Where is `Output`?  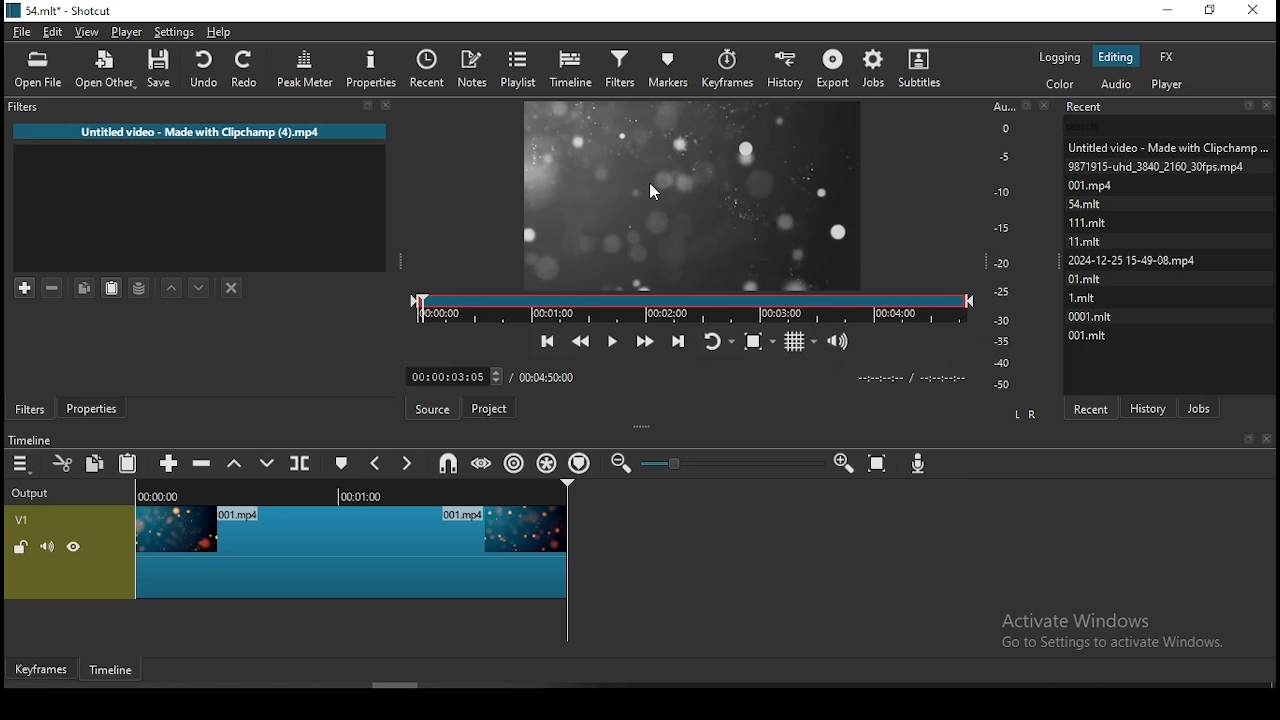 Output is located at coordinates (33, 494).